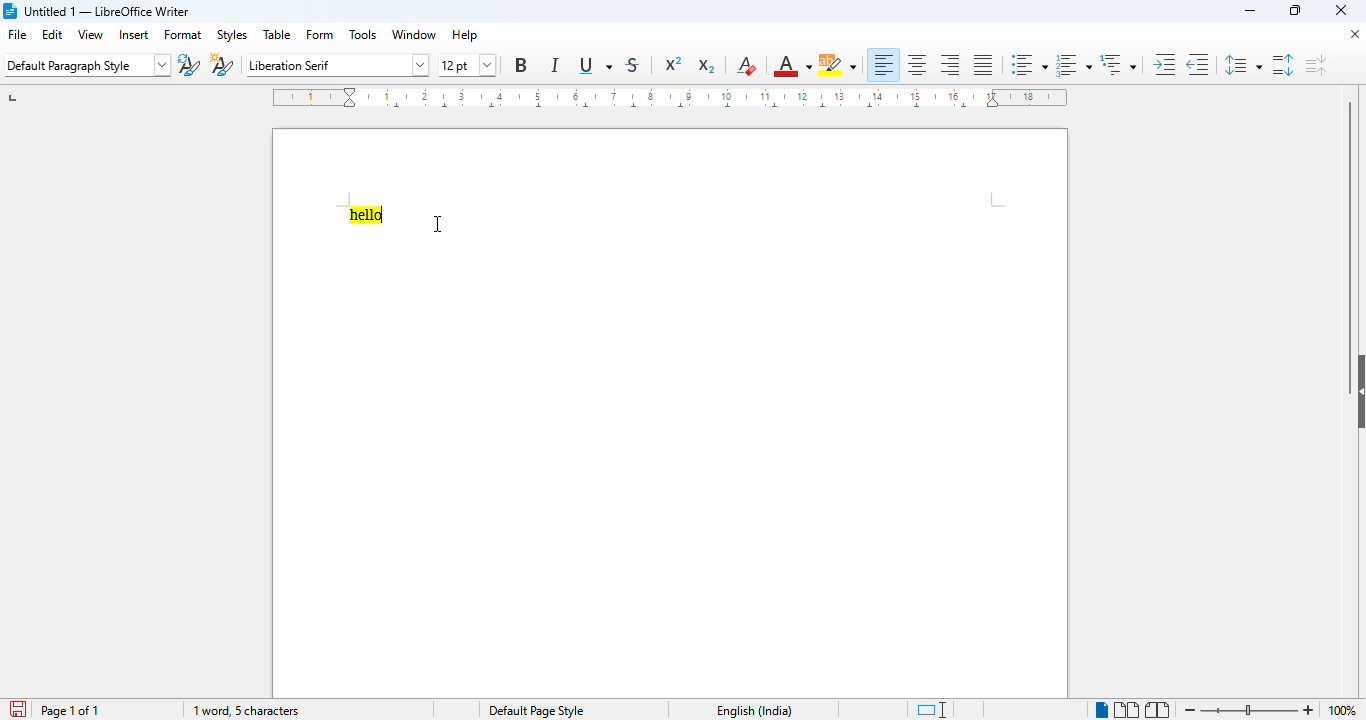 This screenshot has height=720, width=1366. What do you see at coordinates (555, 65) in the screenshot?
I see `italic` at bounding box center [555, 65].